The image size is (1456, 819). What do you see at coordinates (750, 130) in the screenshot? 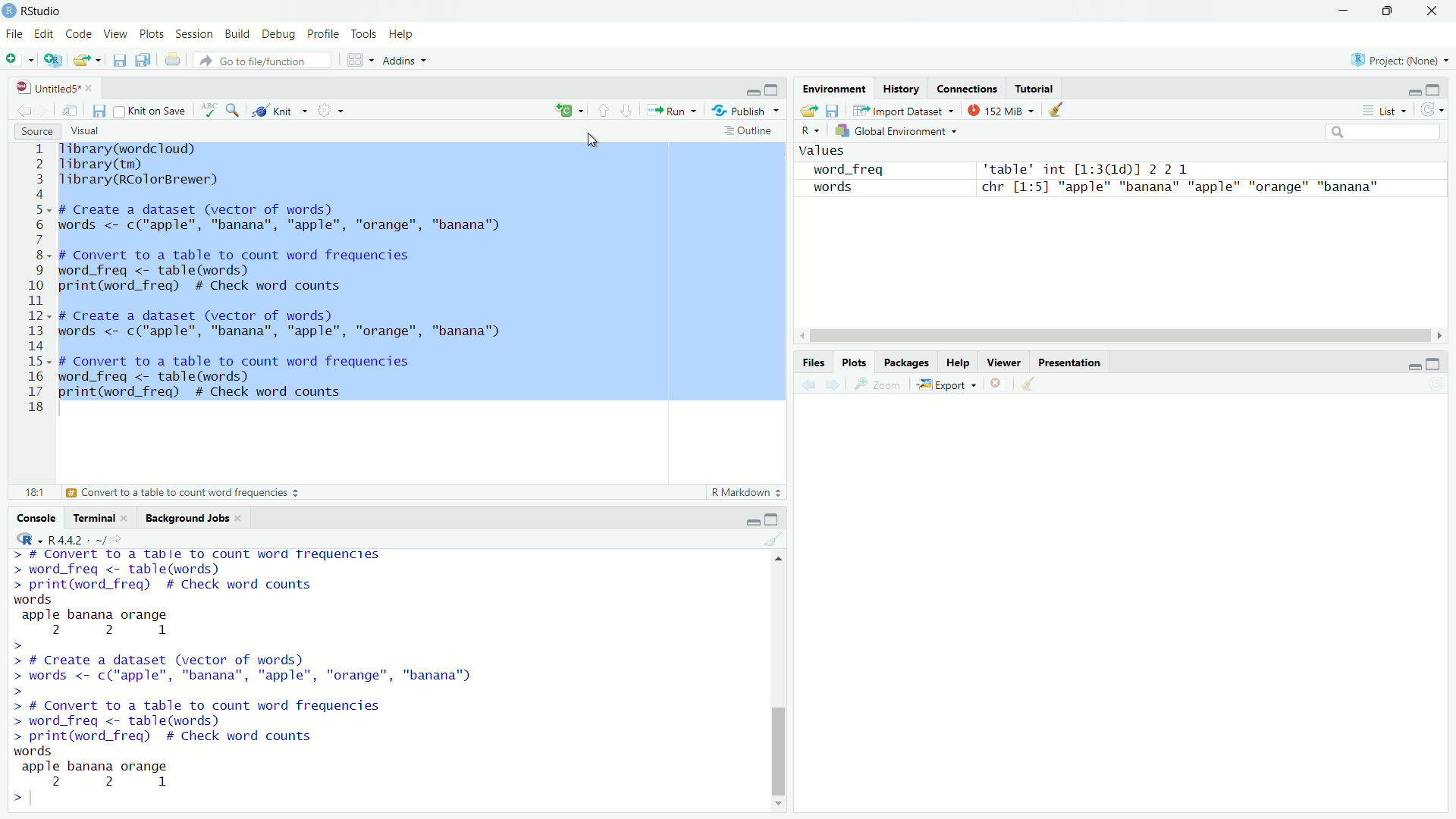
I see `Outiline` at bounding box center [750, 130].